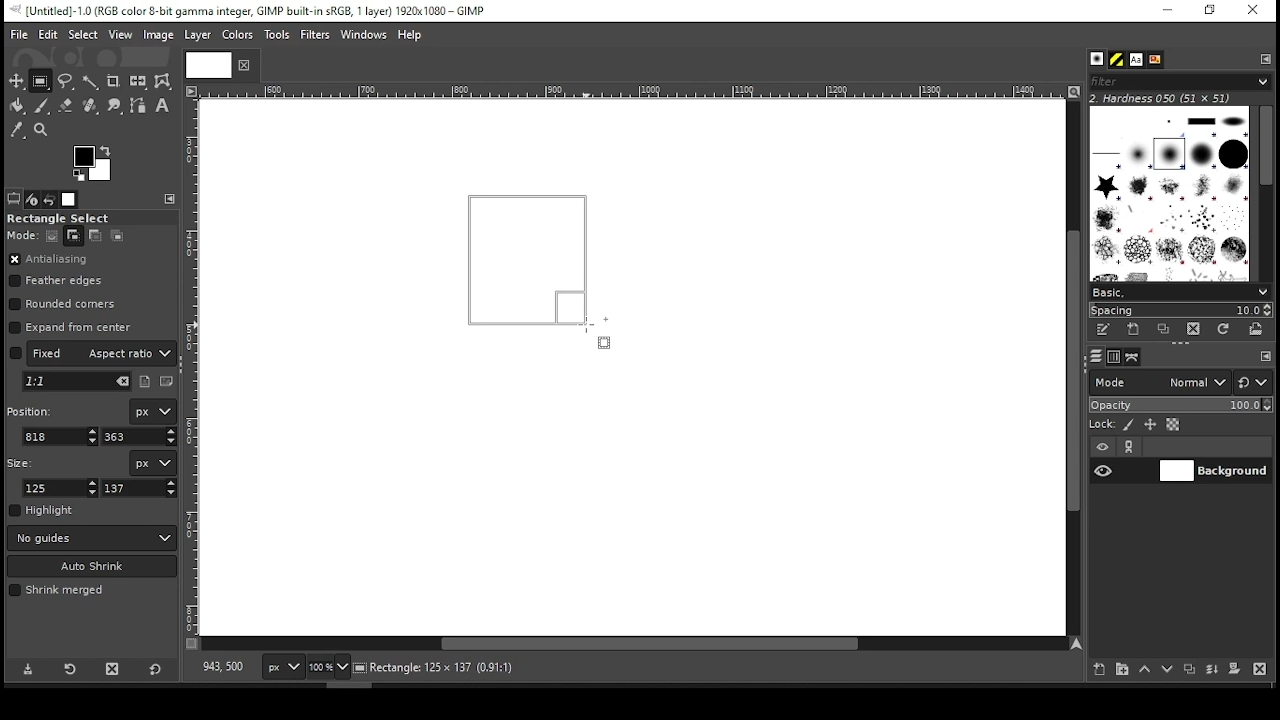  What do you see at coordinates (1196, 330) in the screenshot?
I see `delete brush` at bounding box center [1196, 330].